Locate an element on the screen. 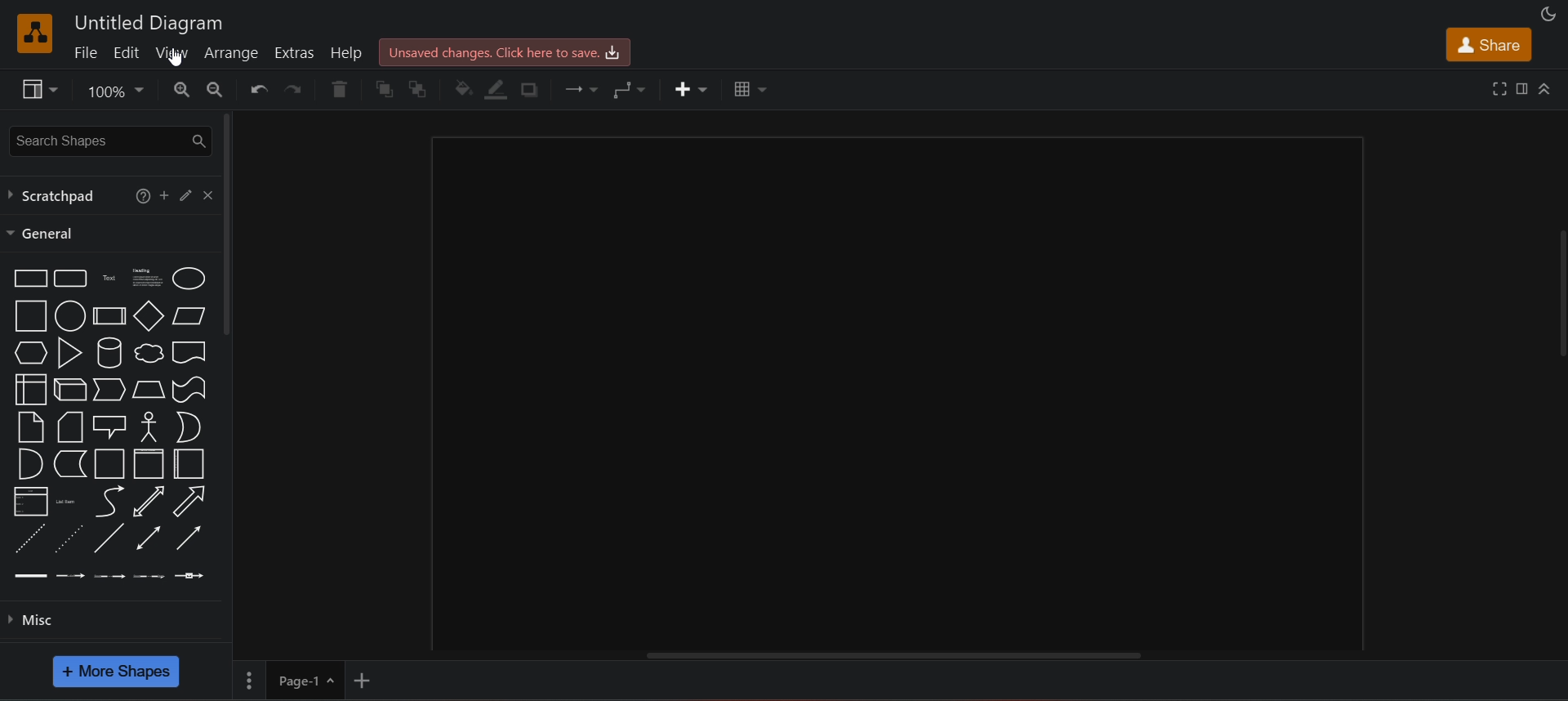 The image size is (1568, 701). process is located at coordinates (108, 315).